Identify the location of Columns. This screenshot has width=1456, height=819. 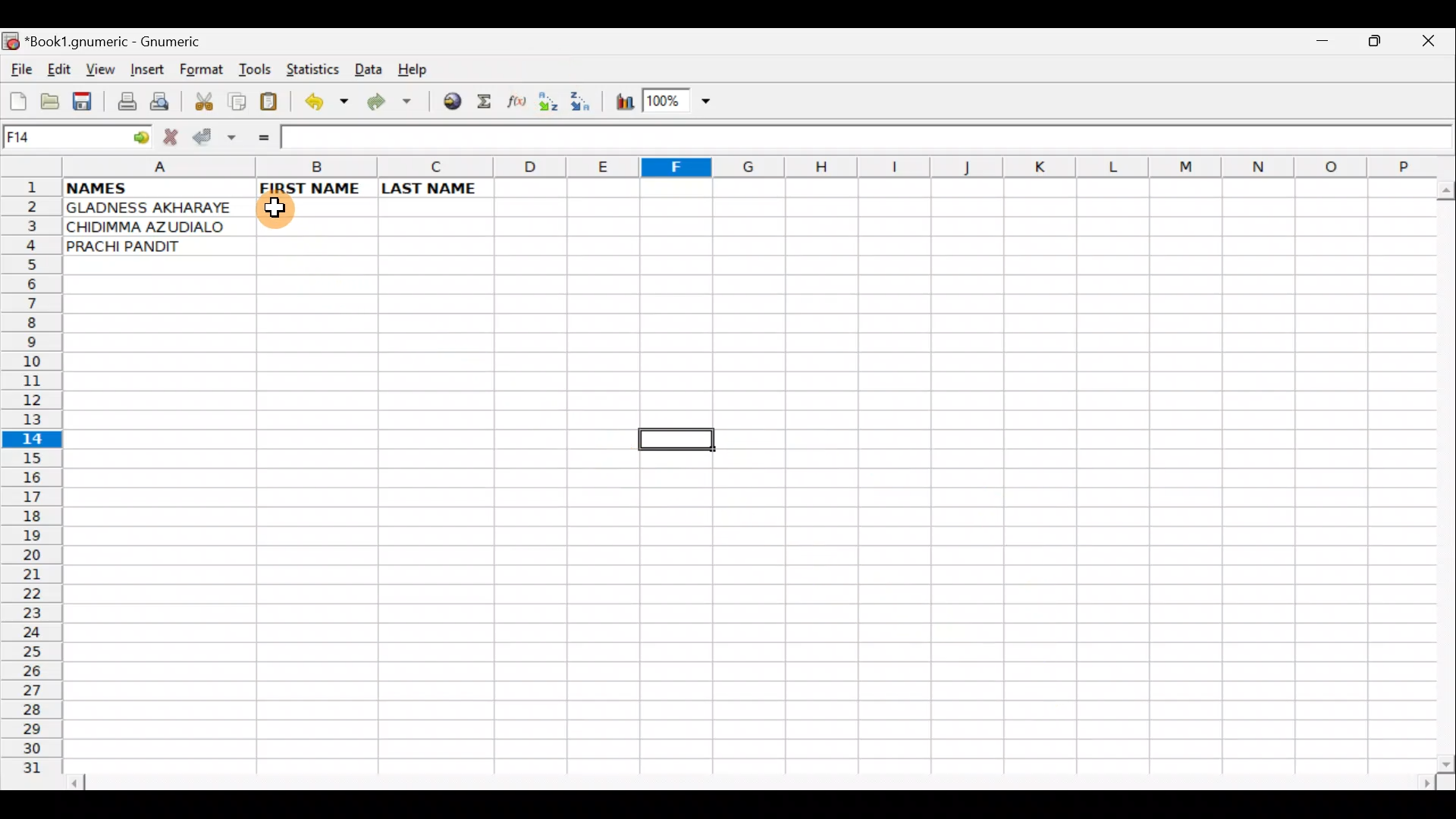
(747, 167).